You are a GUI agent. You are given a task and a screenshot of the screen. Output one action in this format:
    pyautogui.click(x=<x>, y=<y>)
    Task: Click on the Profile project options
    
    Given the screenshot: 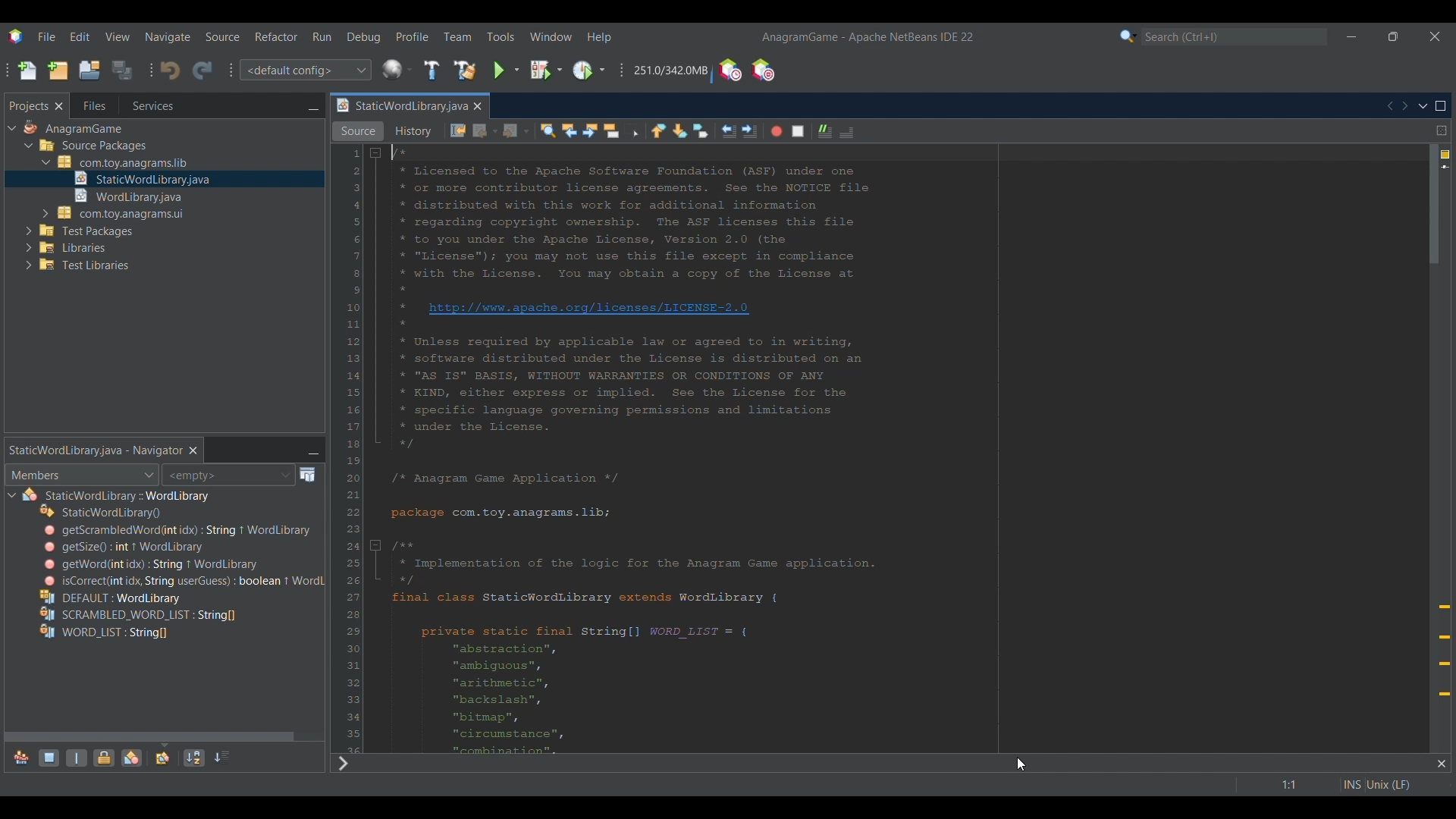 What is the action you would take?
    pyautogui.click(x=602, y=70)
    